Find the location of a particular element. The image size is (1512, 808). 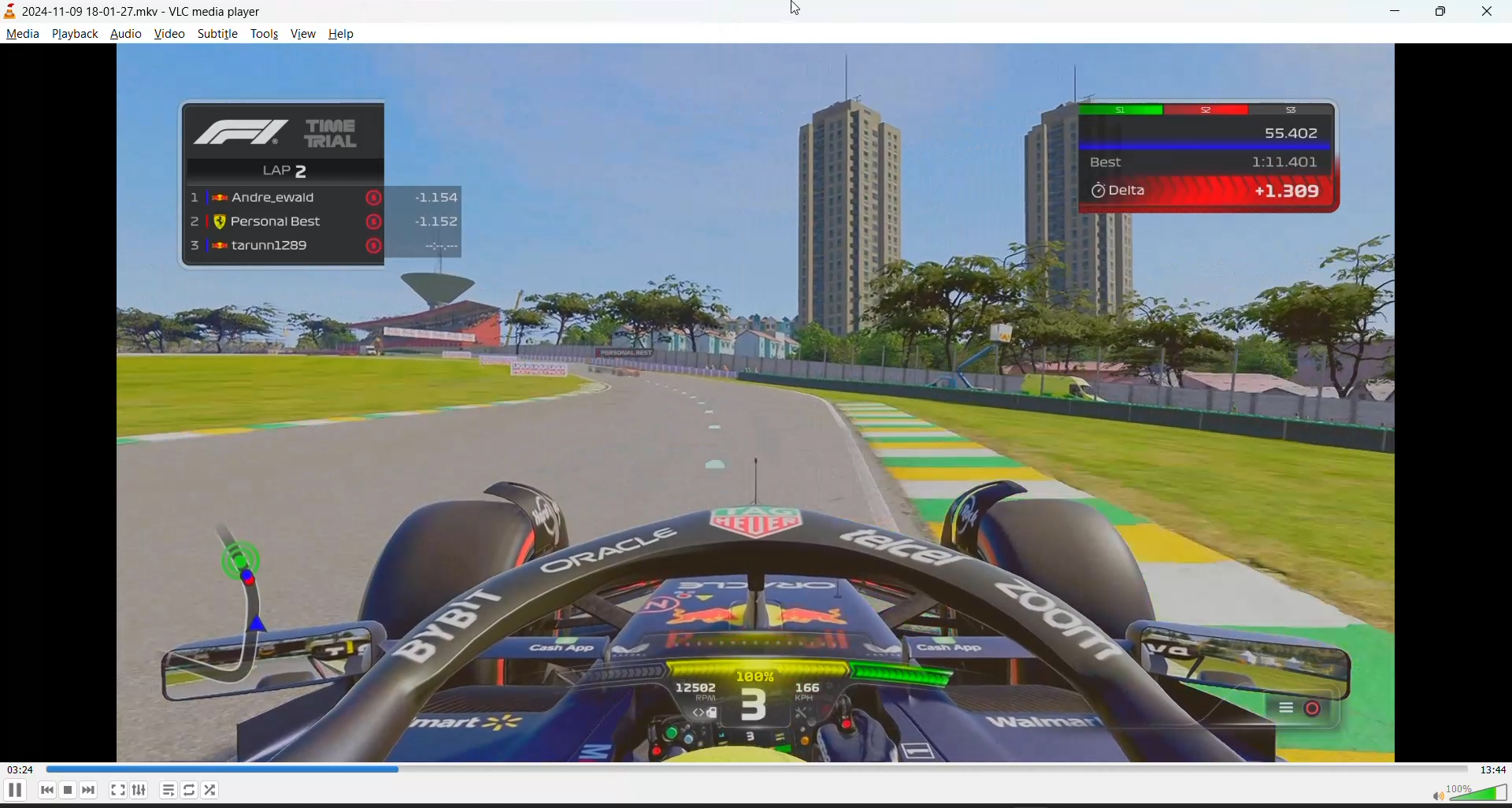

video is located at coordinates (169, 32).